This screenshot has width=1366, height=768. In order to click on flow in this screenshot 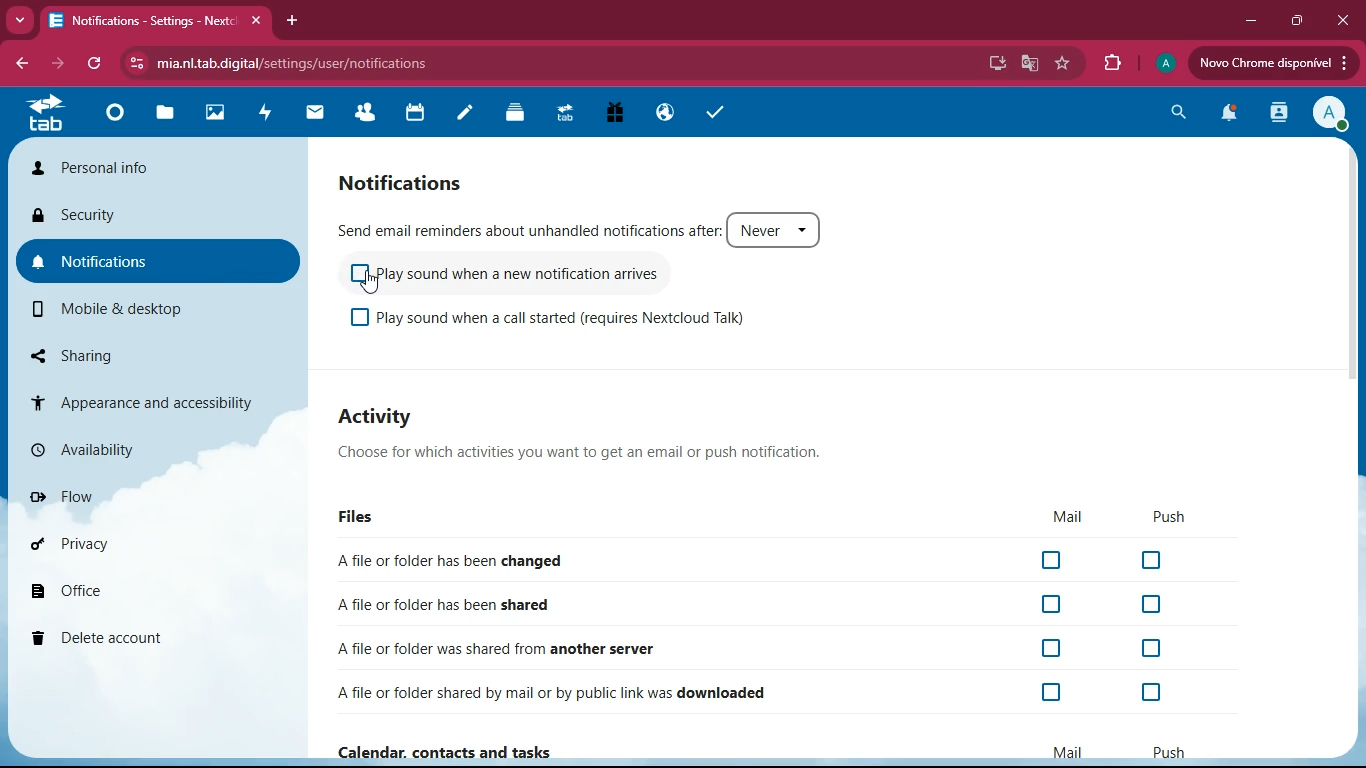, I will do `click(143, 496)`.